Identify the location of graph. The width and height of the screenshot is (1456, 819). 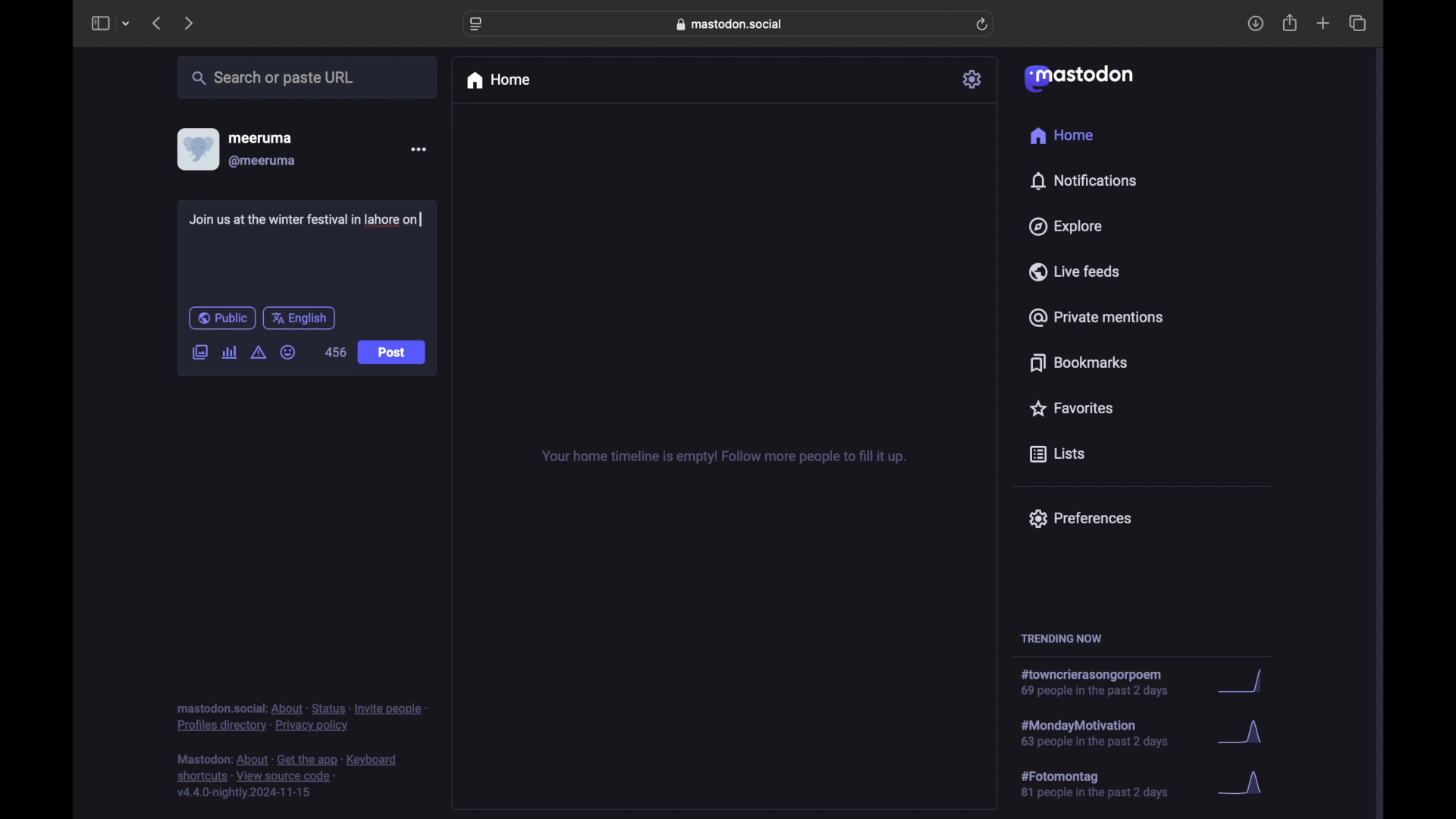
(1244, 736).